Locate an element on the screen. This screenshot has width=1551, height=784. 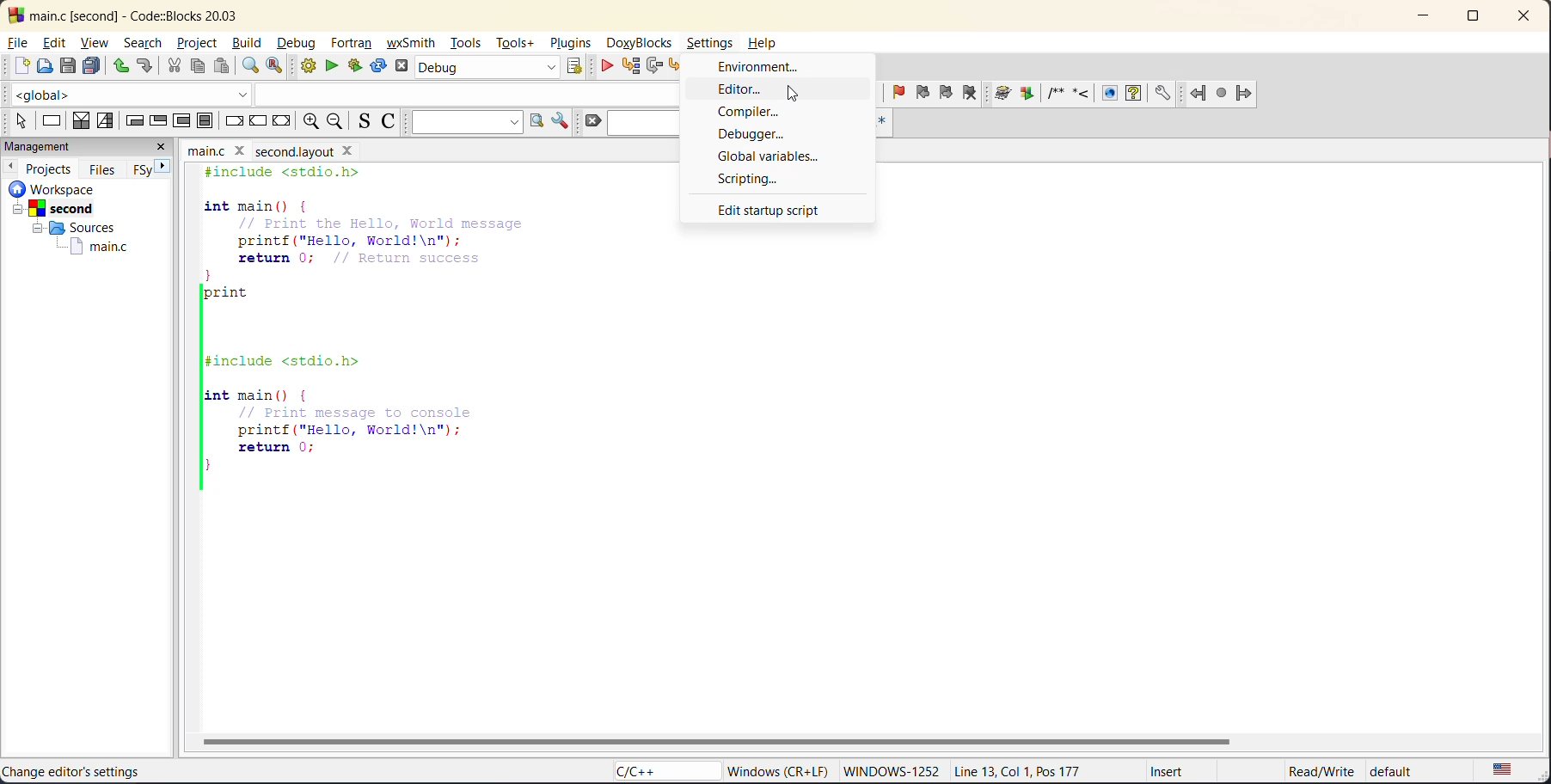
code editor is located at coordinates (386, 328).